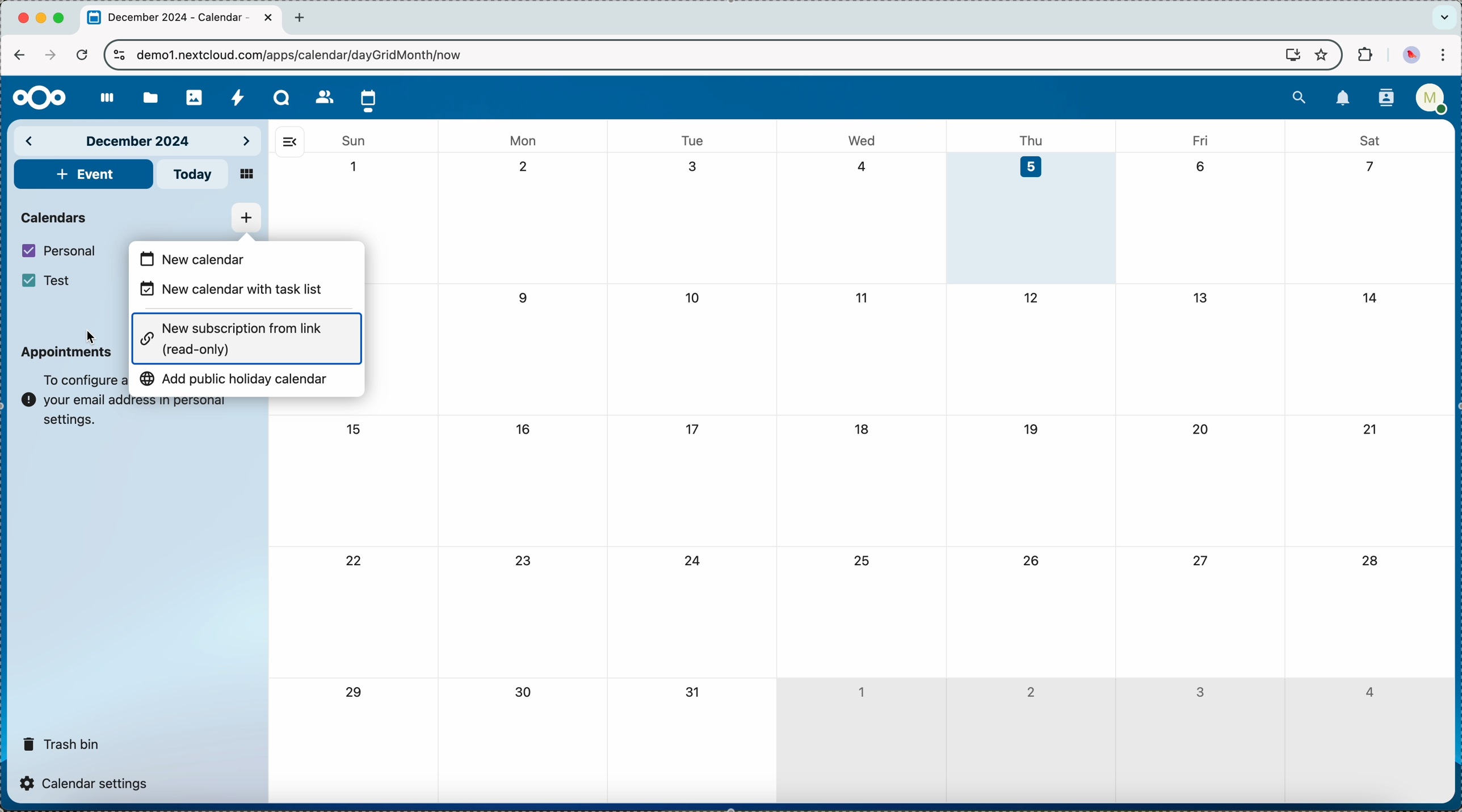 This screenshot has height=812, width=1462. What do you see at coordinates (1034, 218) in the screenshot?
I see `day 5 selected` at bounding box center [1034, 218].